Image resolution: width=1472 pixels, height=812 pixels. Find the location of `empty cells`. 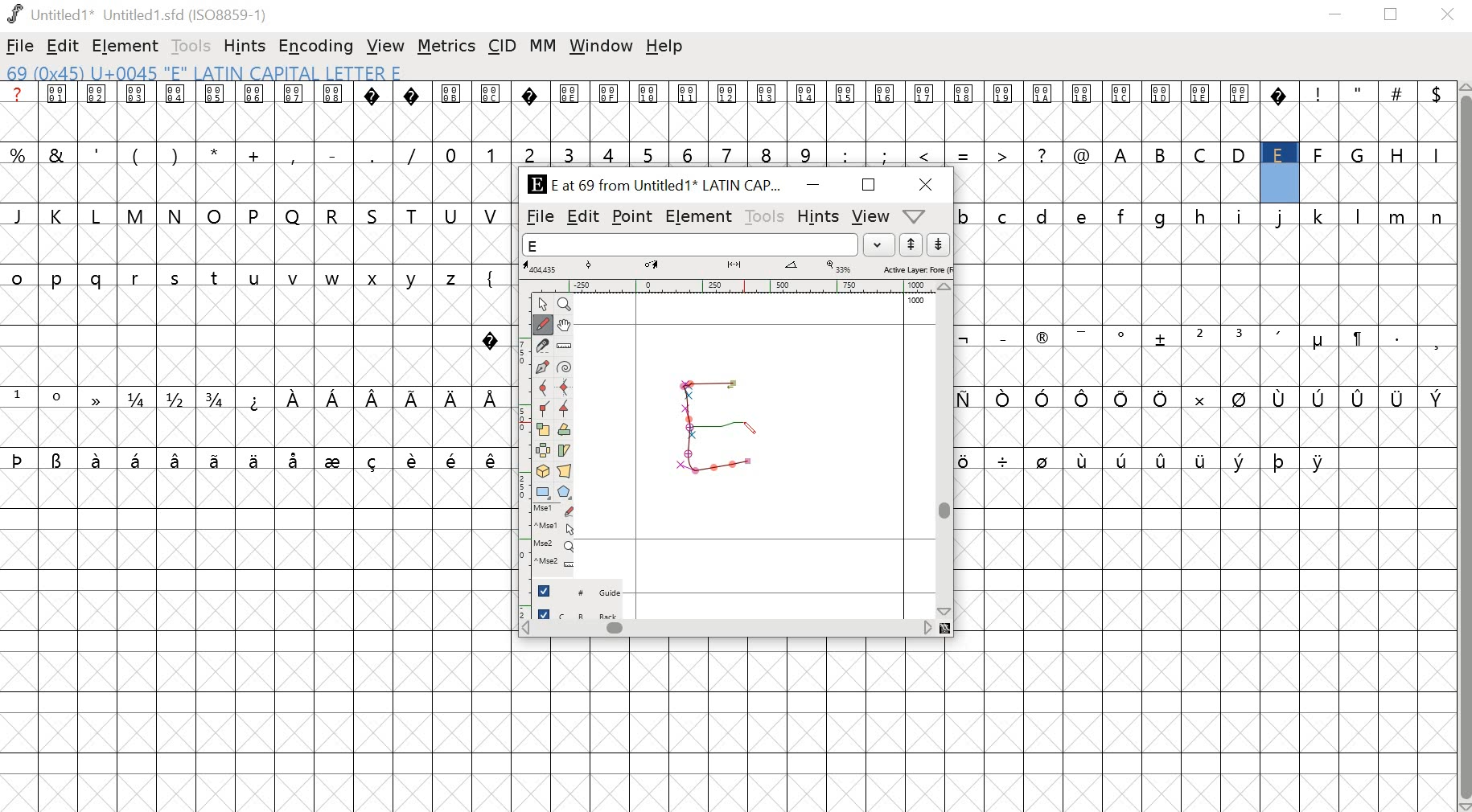

empty cells is located at coordinates (1207, 275).